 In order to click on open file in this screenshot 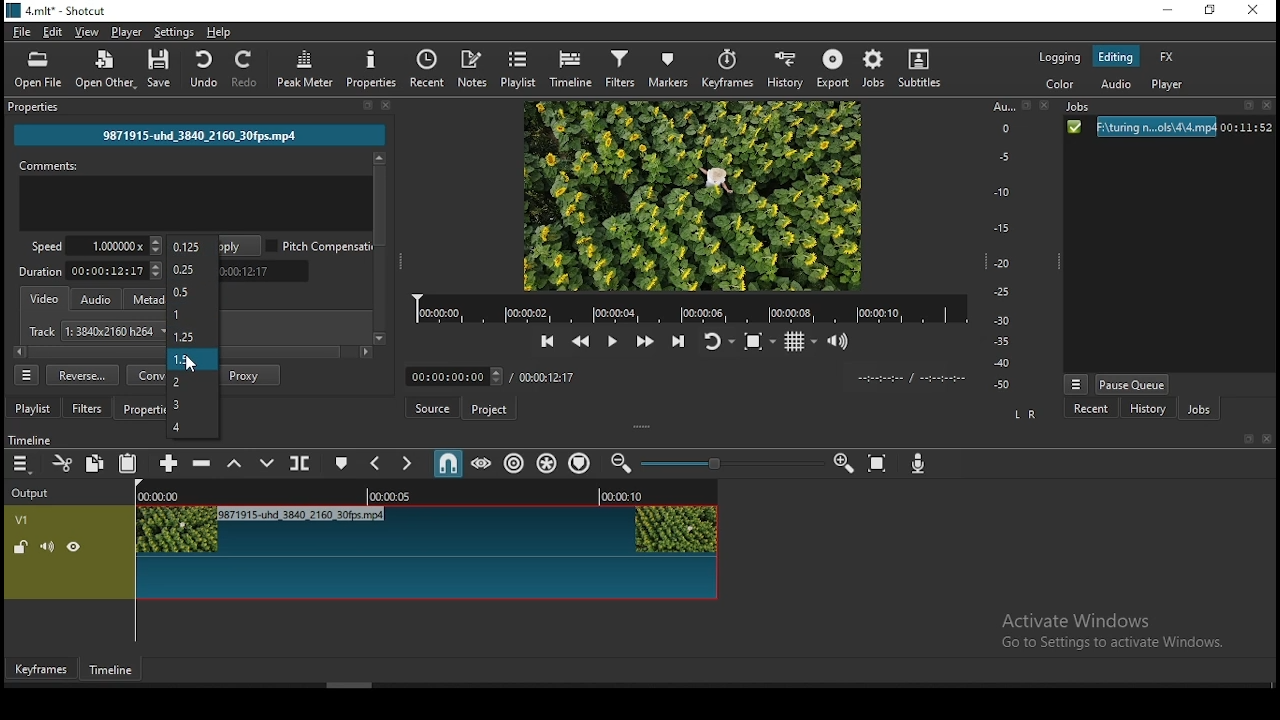, I will do `click(39, 70)`.